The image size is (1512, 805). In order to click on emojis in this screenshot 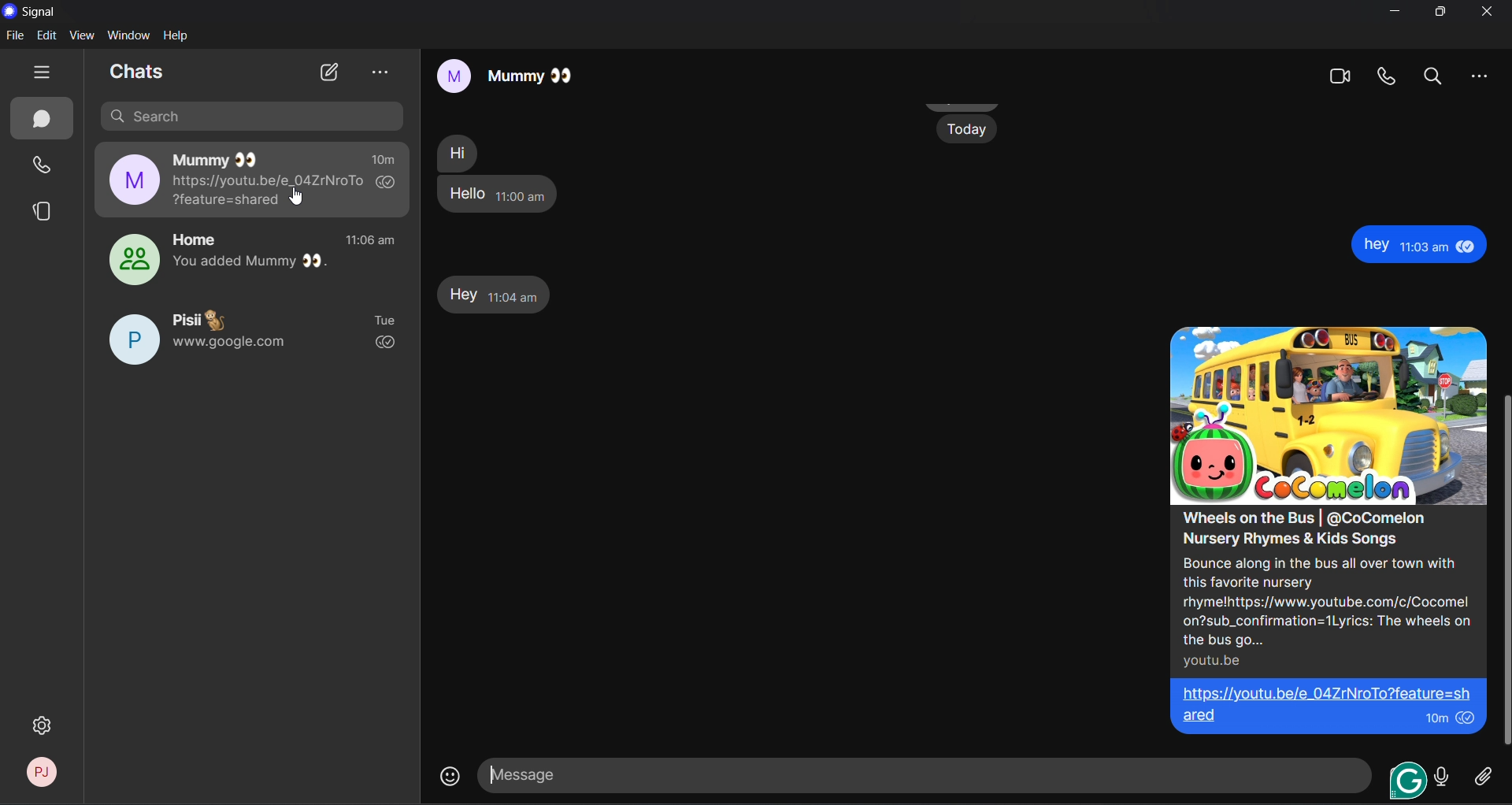, I will do `click(447, 777)`.